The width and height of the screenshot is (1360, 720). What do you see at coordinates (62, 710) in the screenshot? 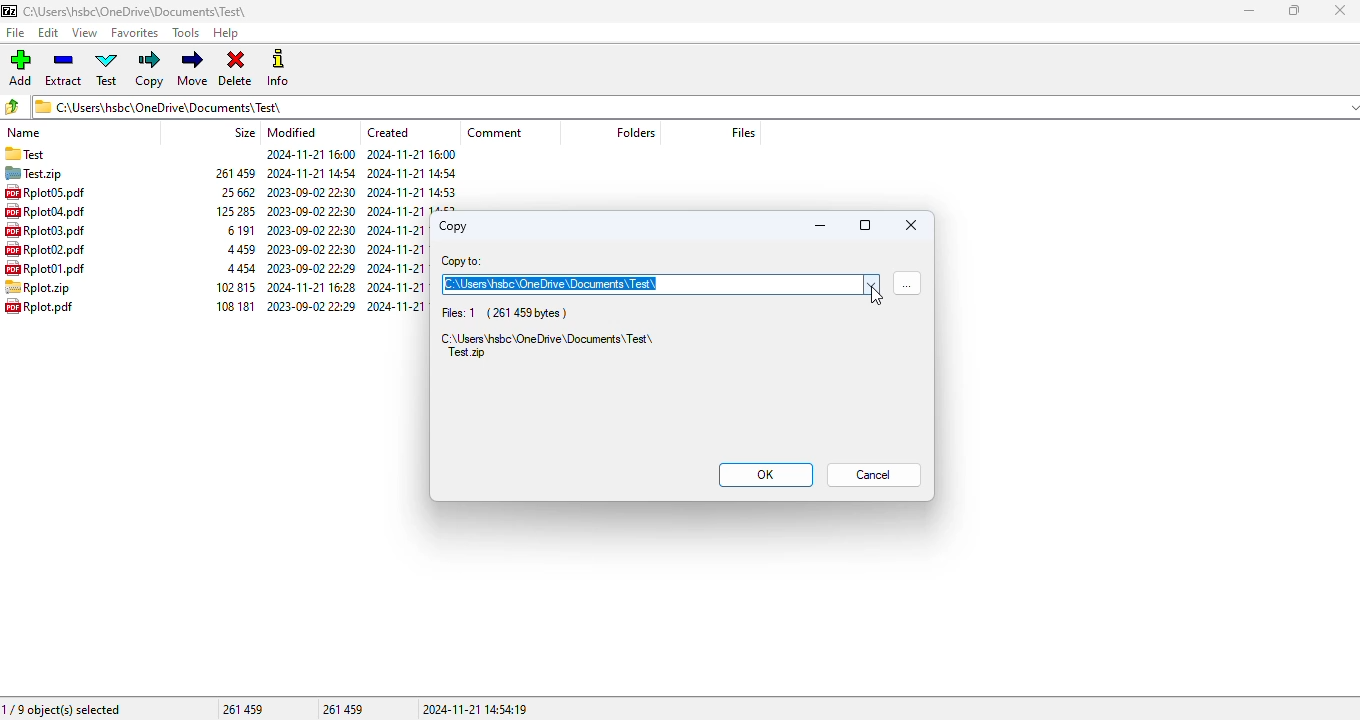
I see `1/9 object(s) selected` at bounding box center [62, 710].